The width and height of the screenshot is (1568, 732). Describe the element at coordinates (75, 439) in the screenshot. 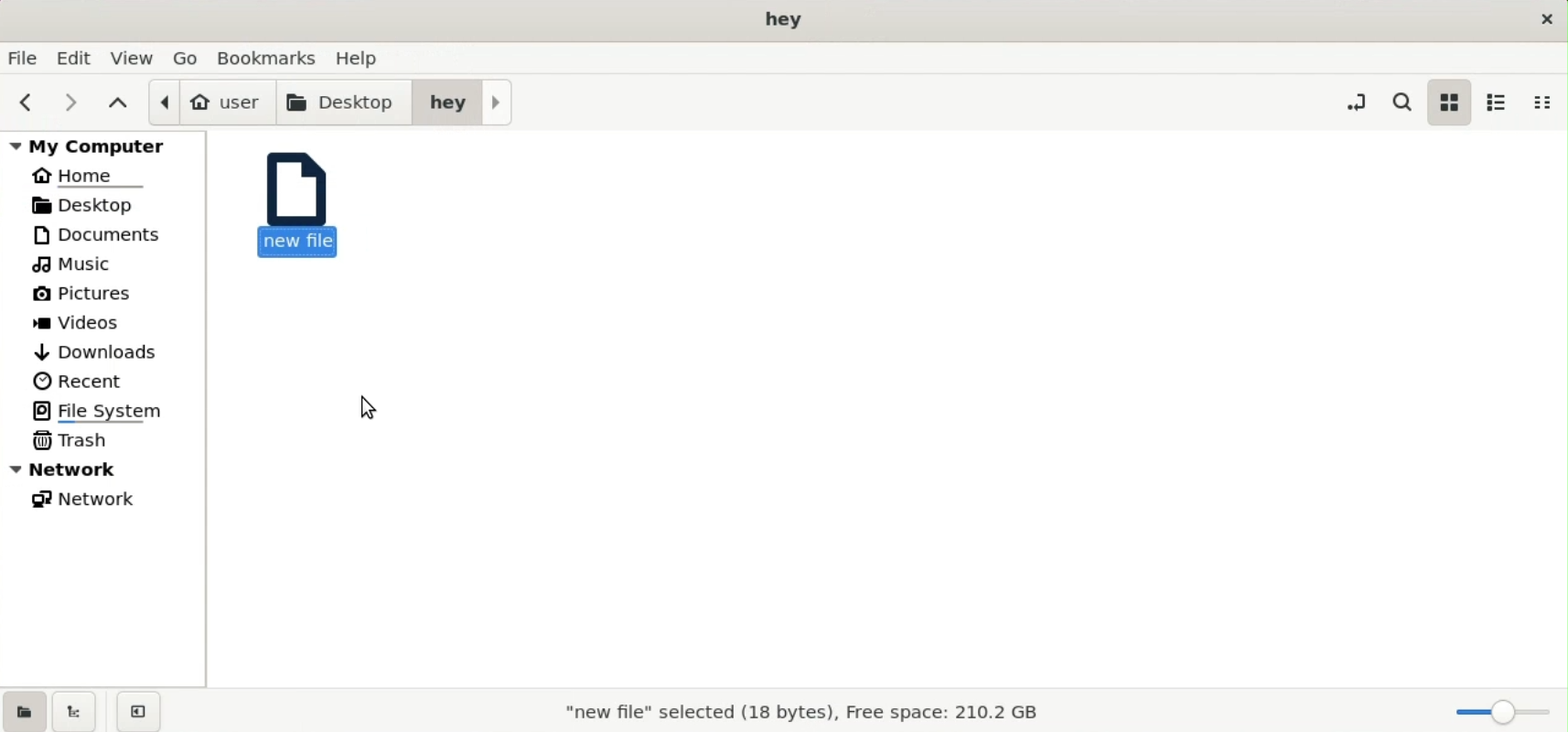

I see `trash` at that location.